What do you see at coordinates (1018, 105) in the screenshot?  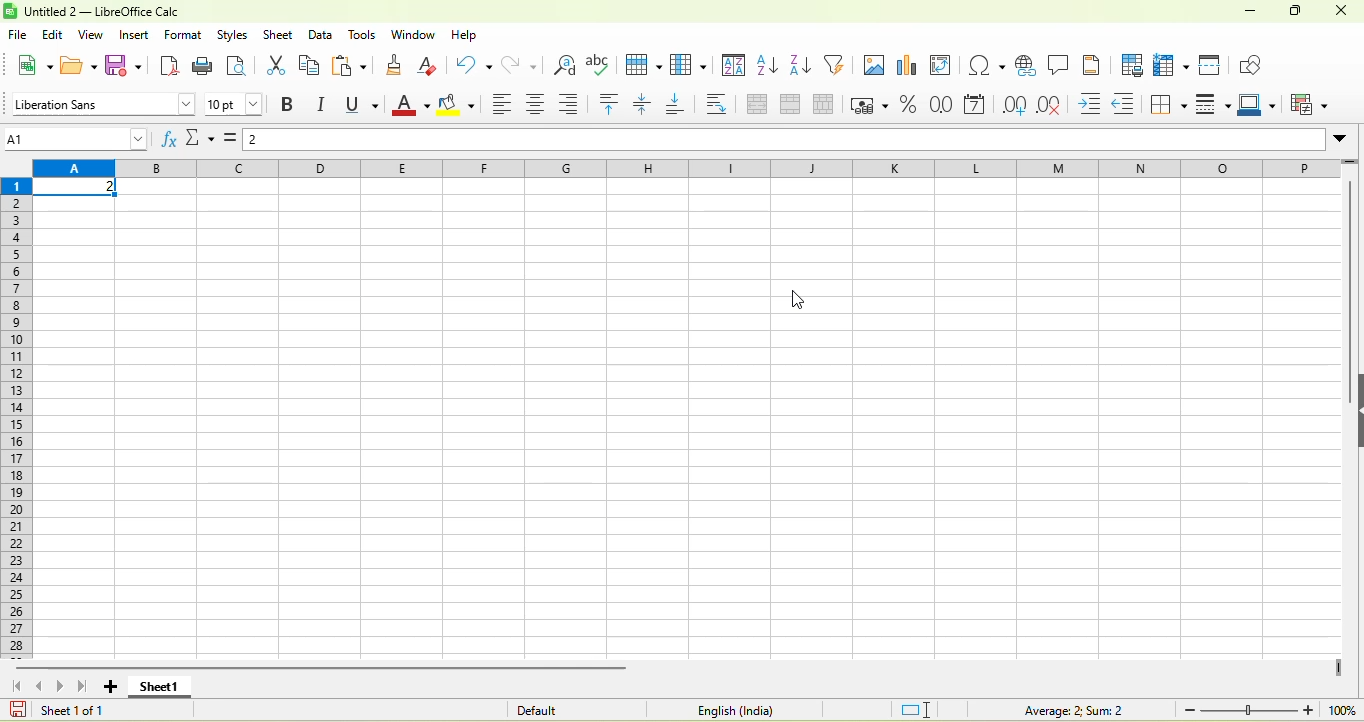 I see `add decimal` at bounding box center [1018, 105].